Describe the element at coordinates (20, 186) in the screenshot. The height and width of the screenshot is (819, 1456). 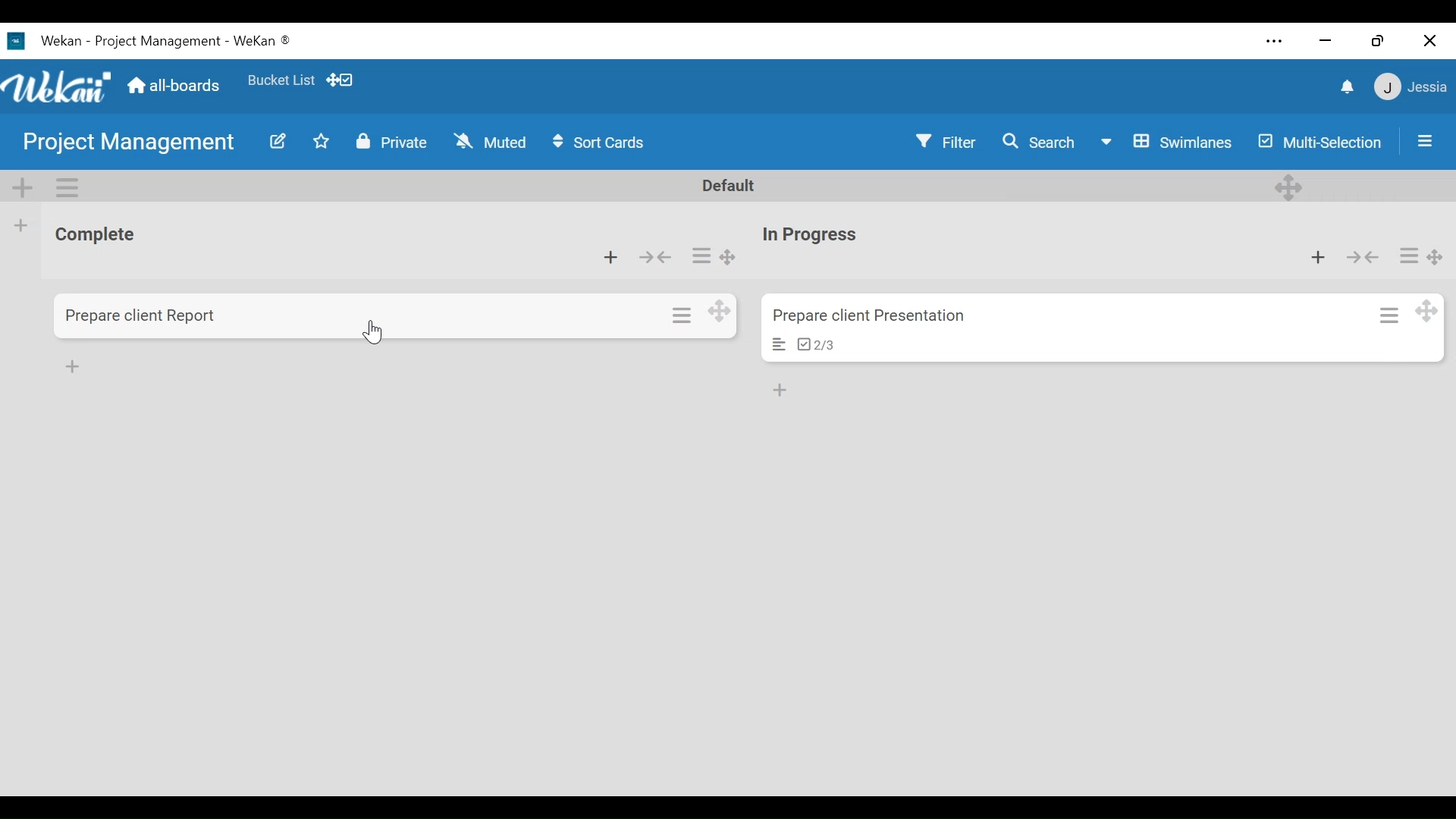
I see `Add Swimlane ` at that location.